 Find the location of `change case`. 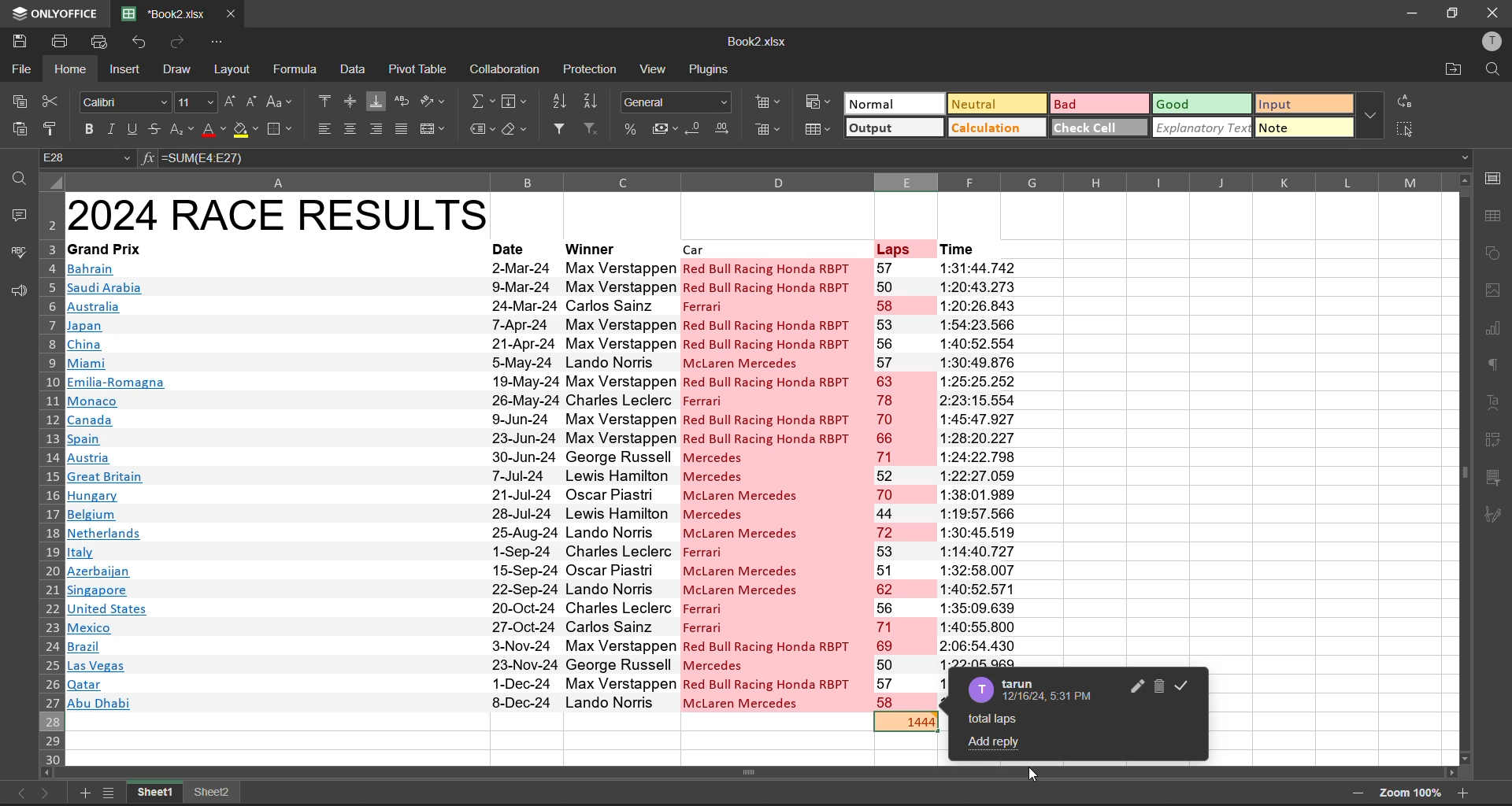

change case is located at coordinates (279, 102).